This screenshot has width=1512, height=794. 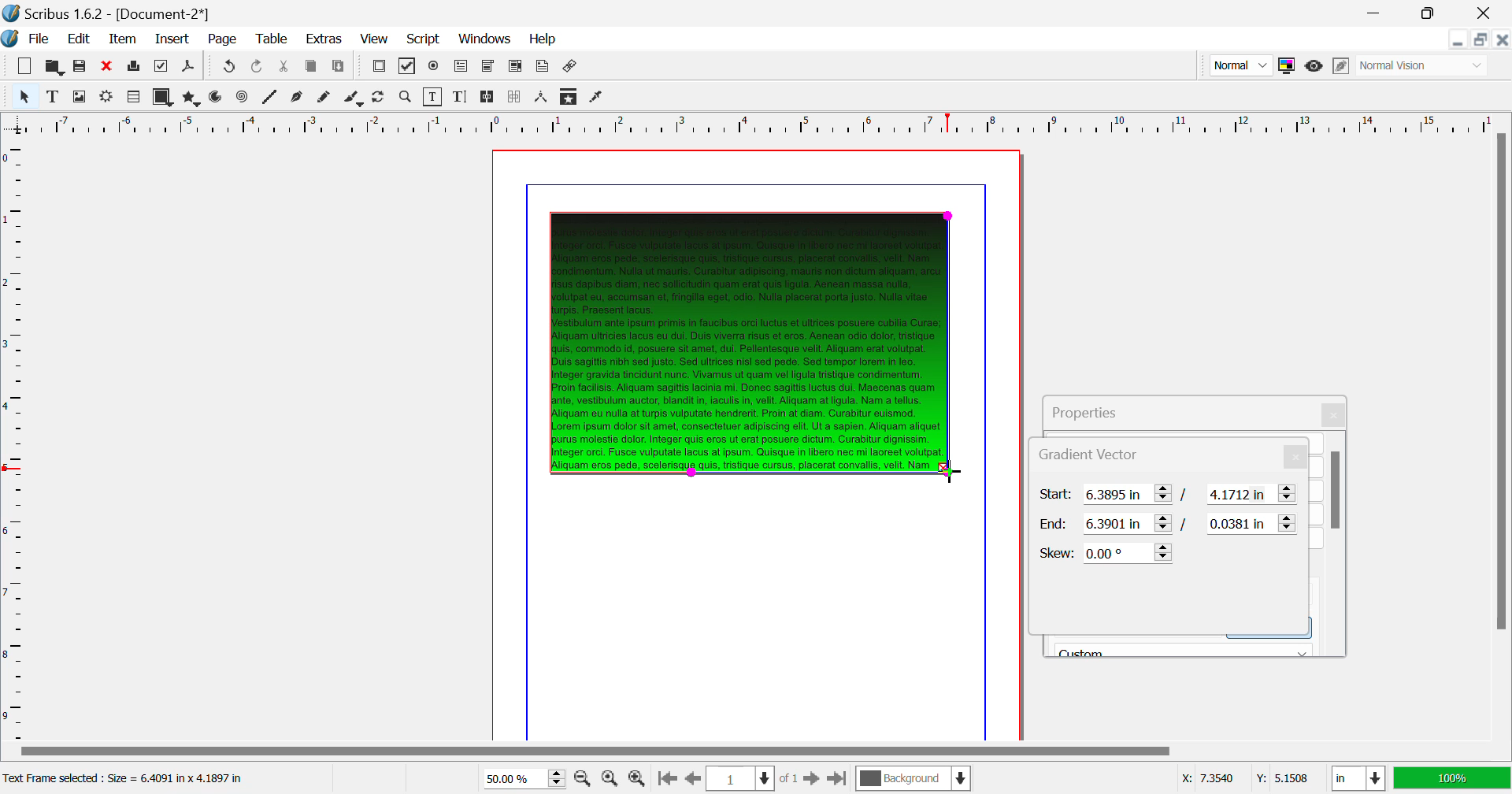 I want to click on Black, so click(x=1184, y=647).